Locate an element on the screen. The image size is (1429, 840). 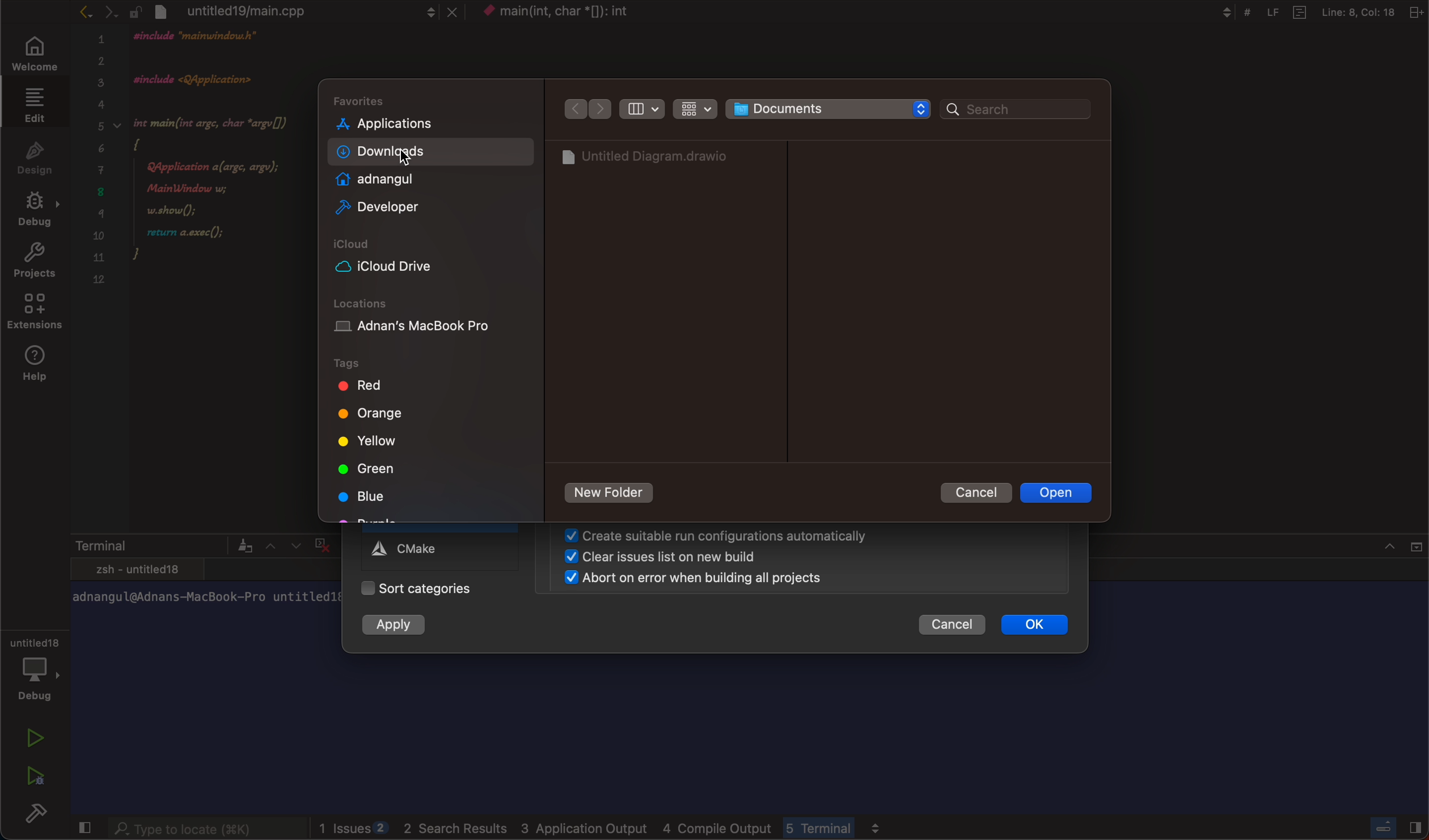
file tab is located at coordinates (306, 11).